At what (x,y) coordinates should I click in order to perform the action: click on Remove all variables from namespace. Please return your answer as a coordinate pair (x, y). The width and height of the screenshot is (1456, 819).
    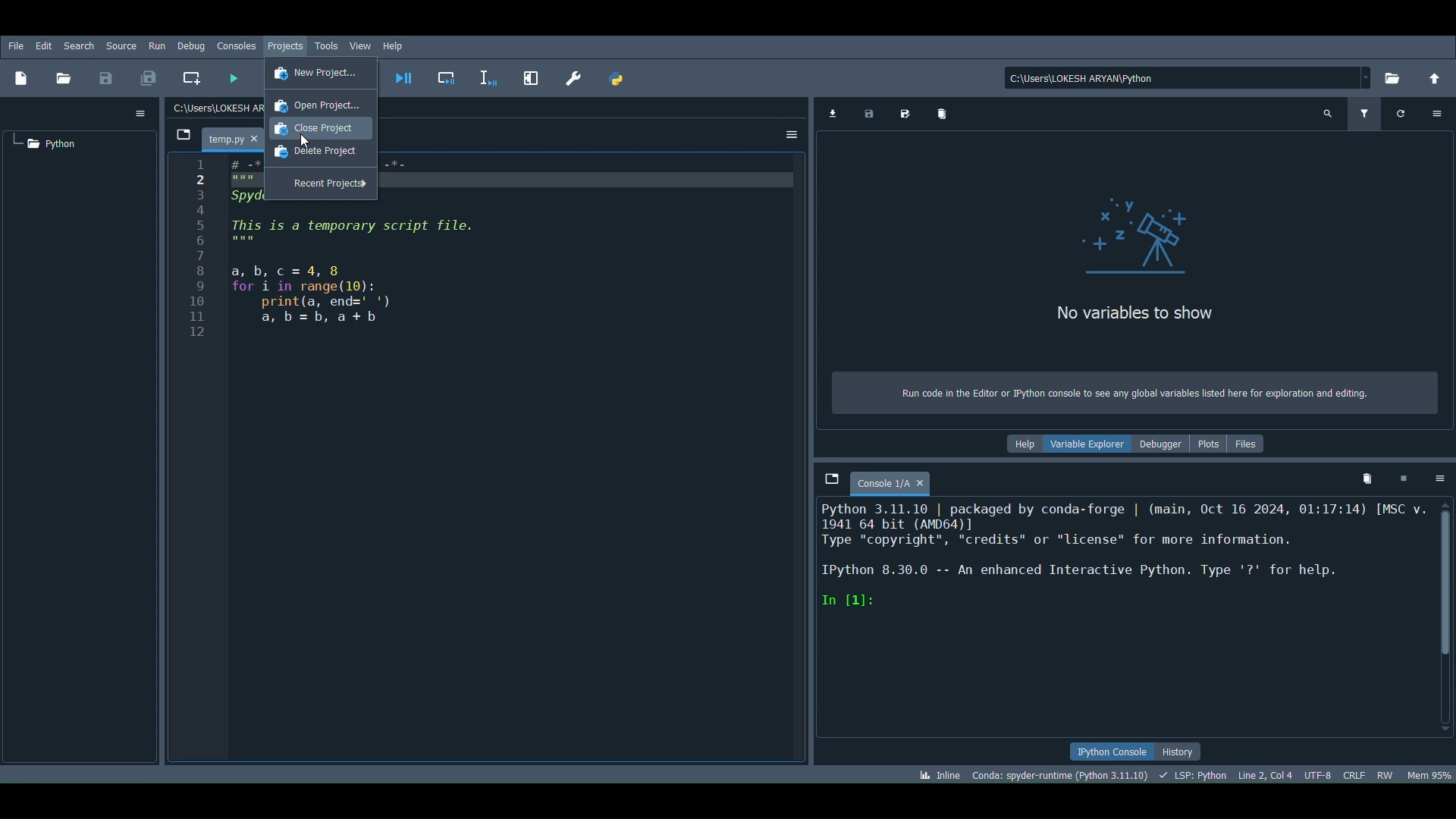
    Looking at the image, I should click on (1370, 475).